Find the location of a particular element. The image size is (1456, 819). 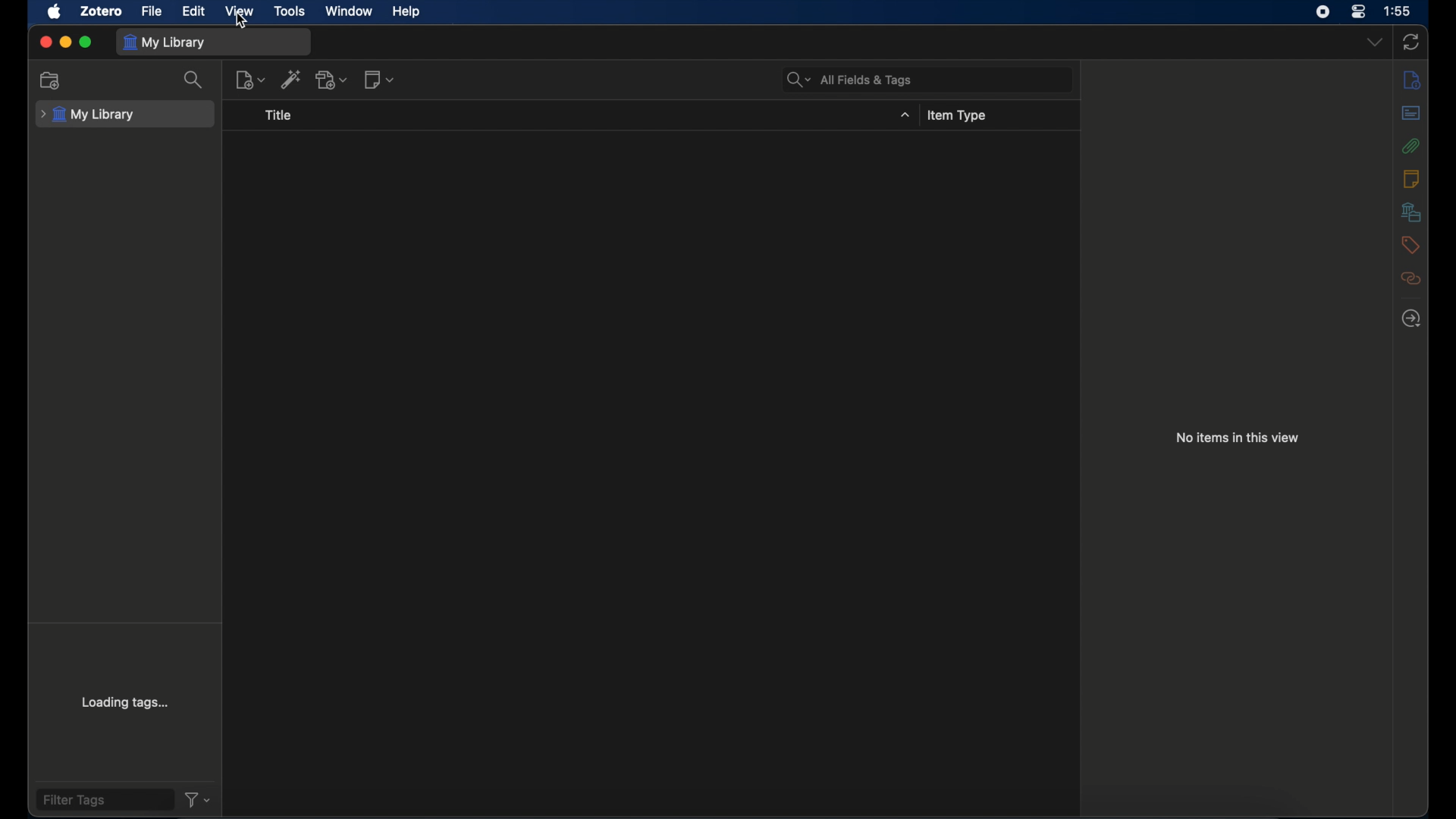

window is located at coordinates (350, 11).